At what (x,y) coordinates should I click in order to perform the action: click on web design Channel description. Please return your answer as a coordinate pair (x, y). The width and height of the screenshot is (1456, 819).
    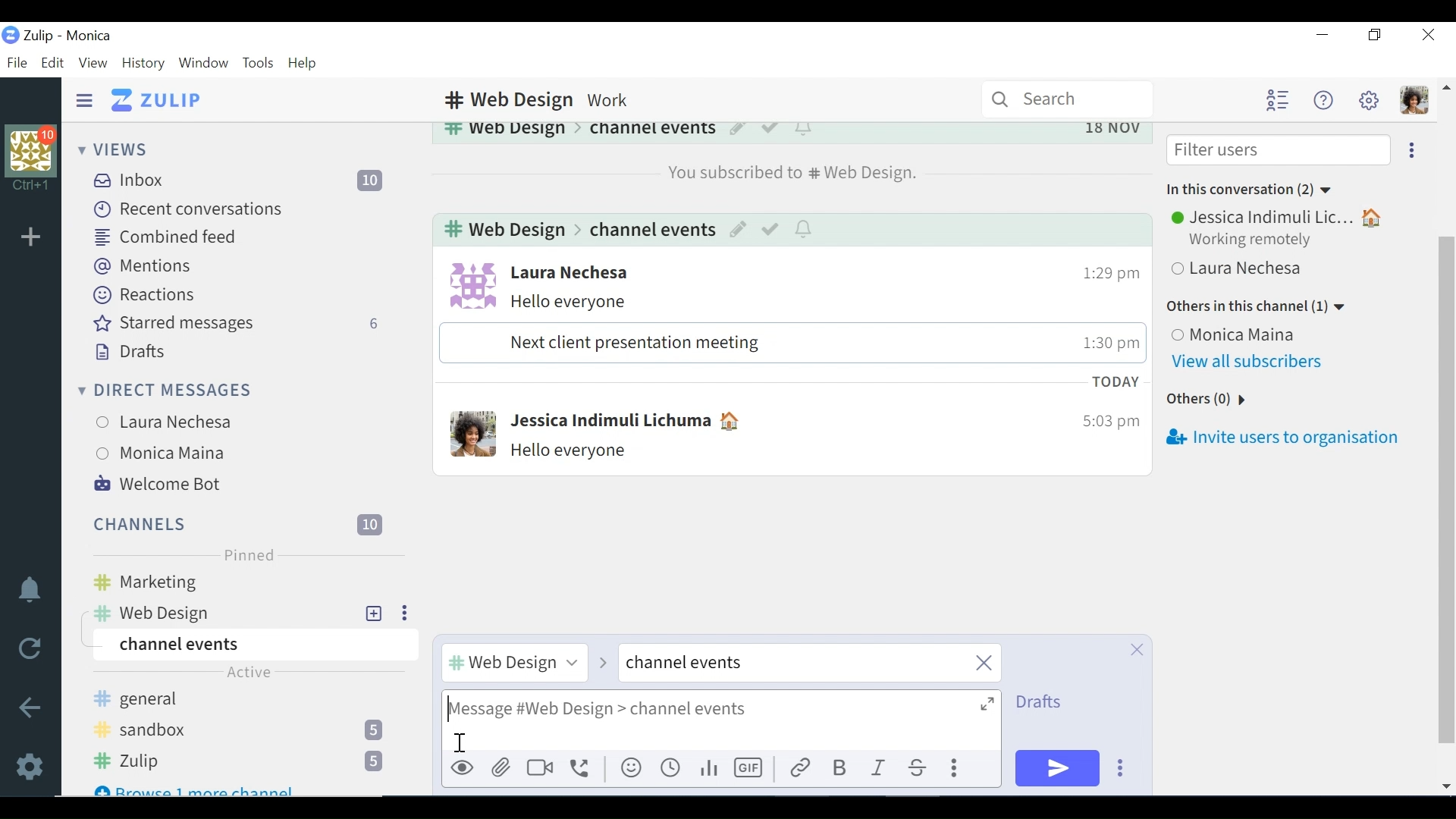
    Looking at the image, I should click on (542, 99).